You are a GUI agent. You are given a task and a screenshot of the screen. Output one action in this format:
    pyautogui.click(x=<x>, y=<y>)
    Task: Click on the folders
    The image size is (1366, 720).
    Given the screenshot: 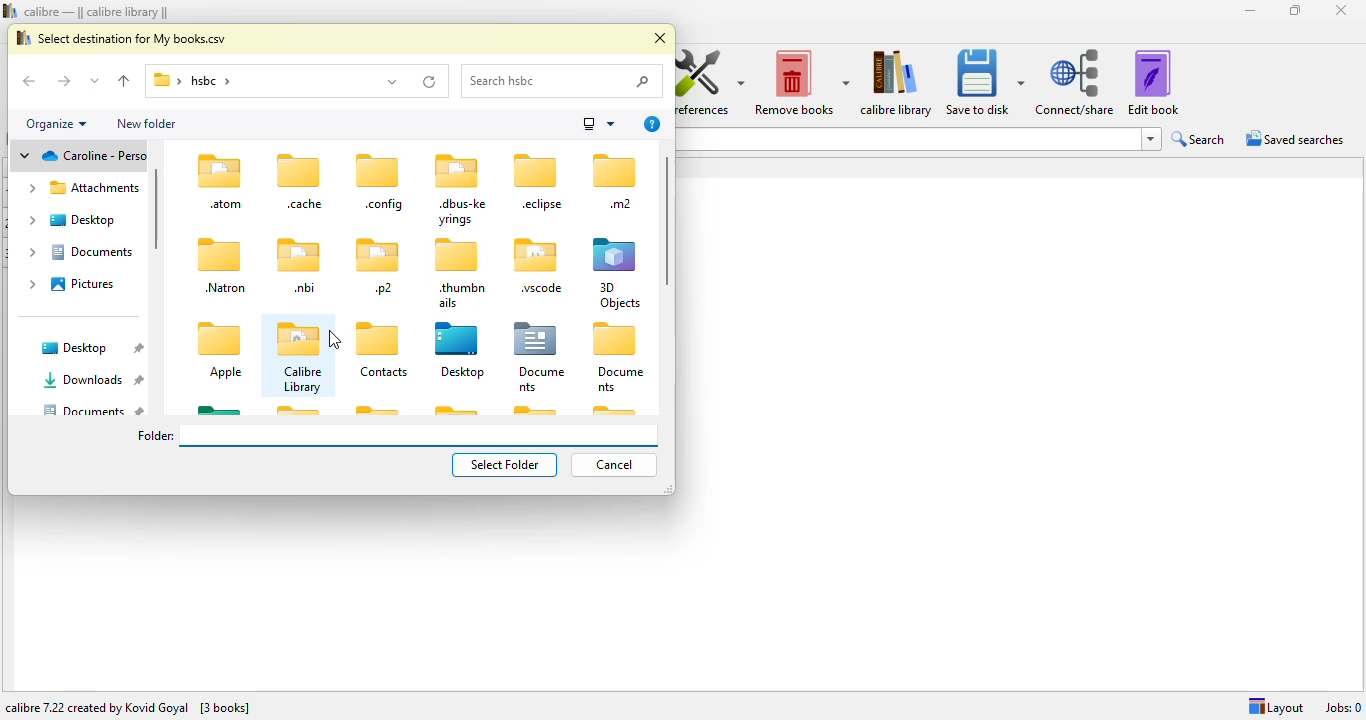 What is the action you would take?
    pyautogui.click(x=221, y=283)
    